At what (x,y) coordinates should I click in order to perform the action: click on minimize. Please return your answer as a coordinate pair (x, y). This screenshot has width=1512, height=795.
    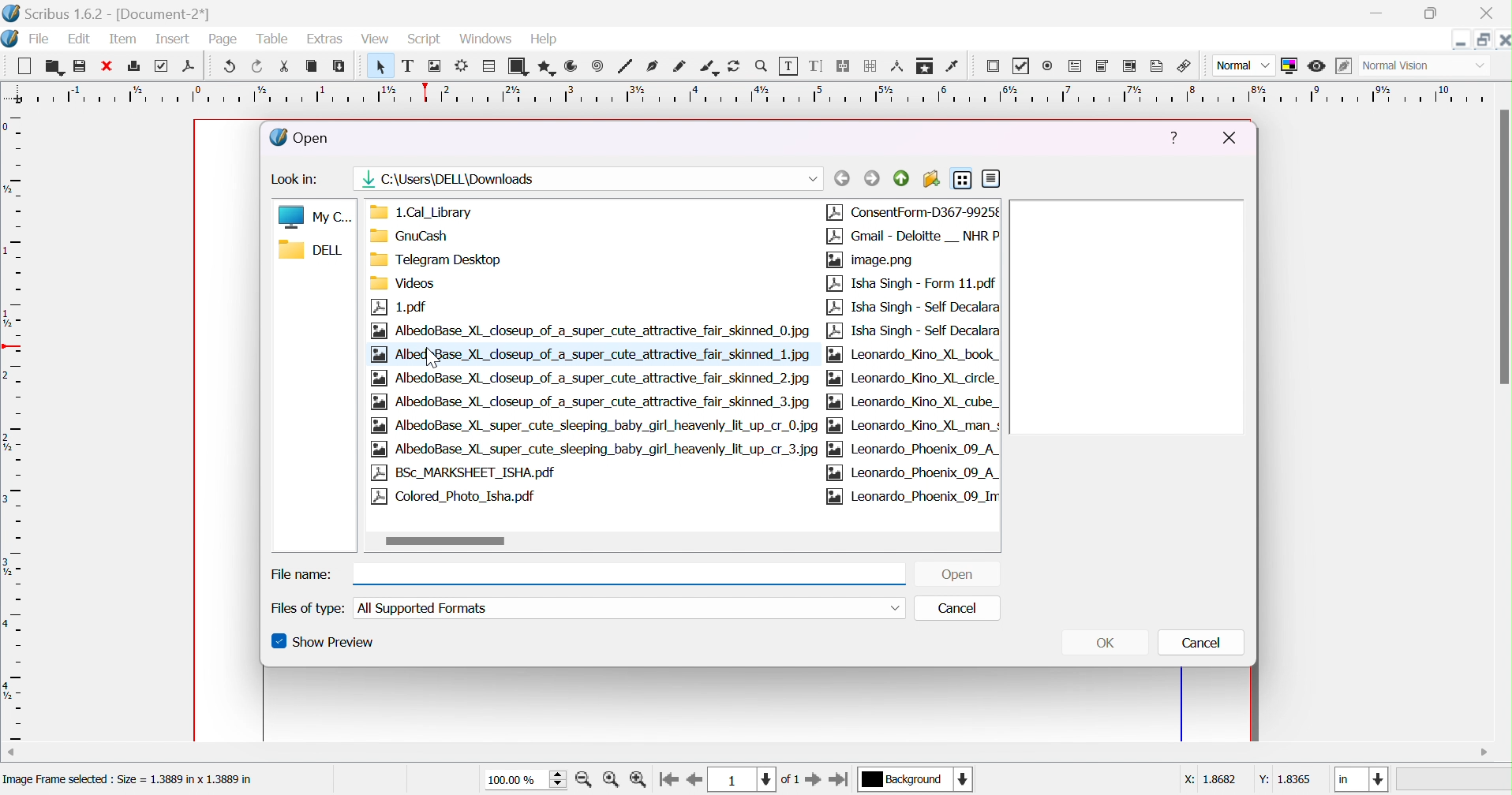
    Looking at the image, I should click on (1461, 39).